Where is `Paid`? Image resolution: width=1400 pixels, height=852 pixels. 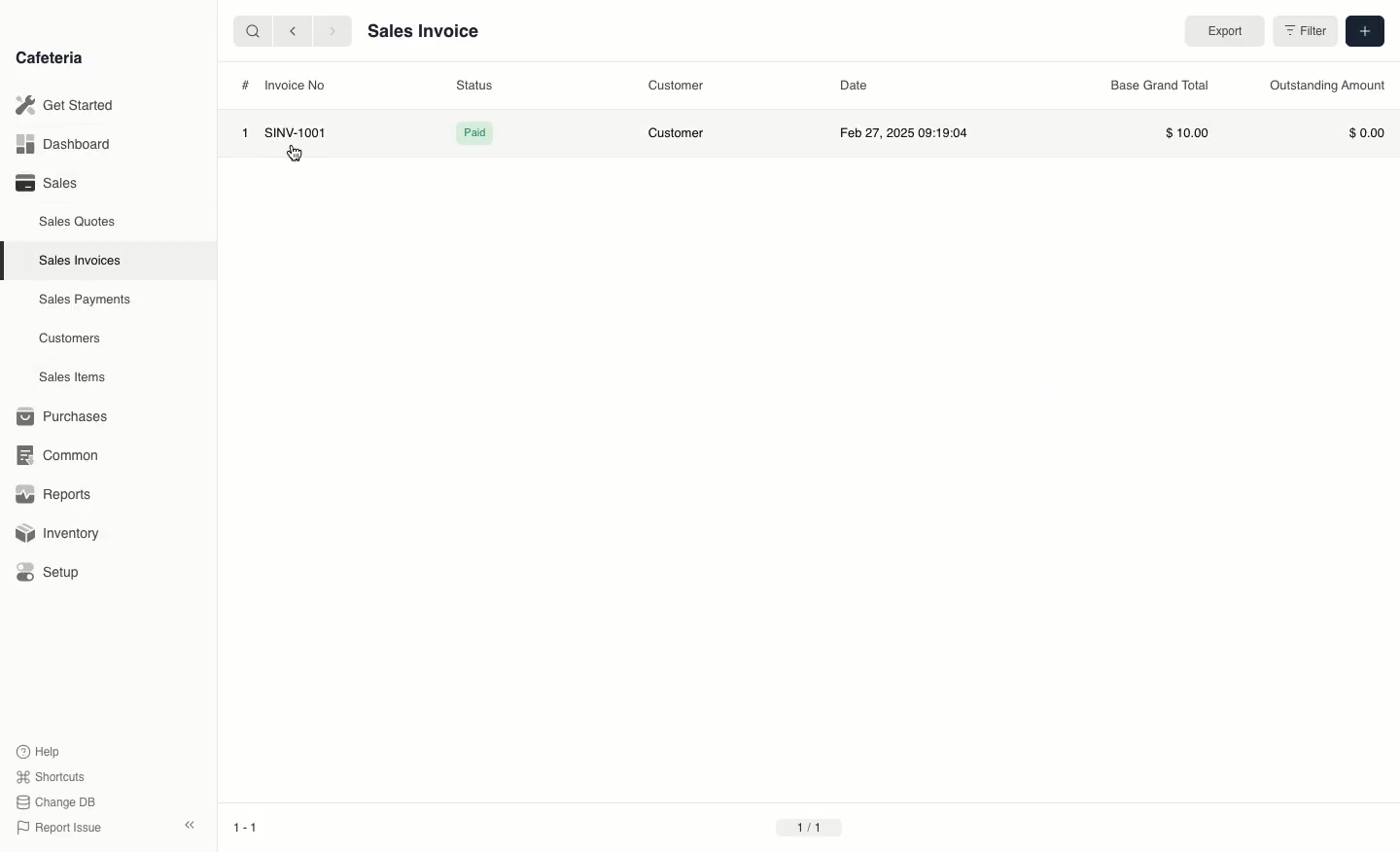
Paid is located at coordinates (474, 133).